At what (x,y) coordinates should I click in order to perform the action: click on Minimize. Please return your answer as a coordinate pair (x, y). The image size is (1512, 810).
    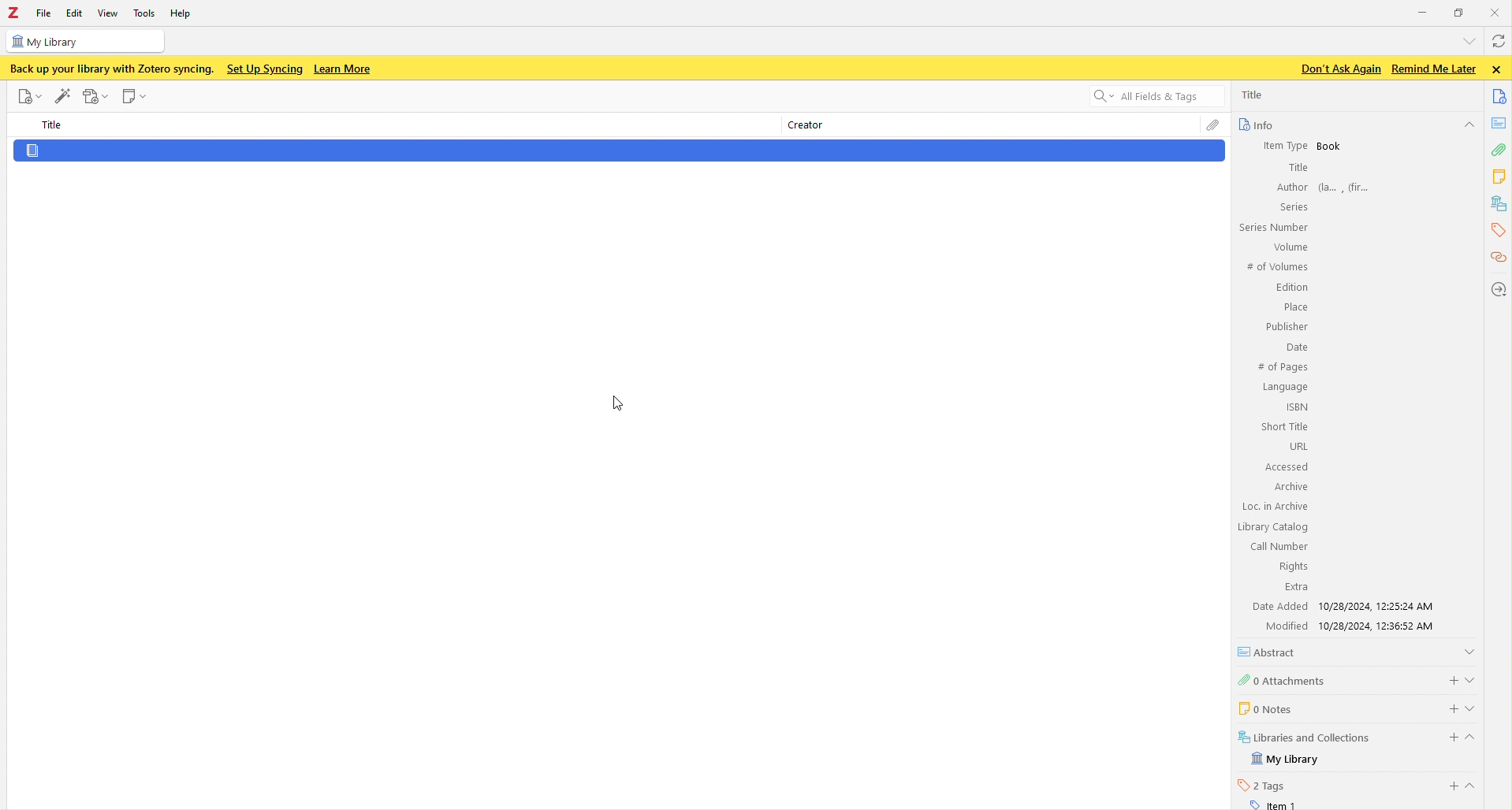
    Looking at the image, I should click on (1423, 11).